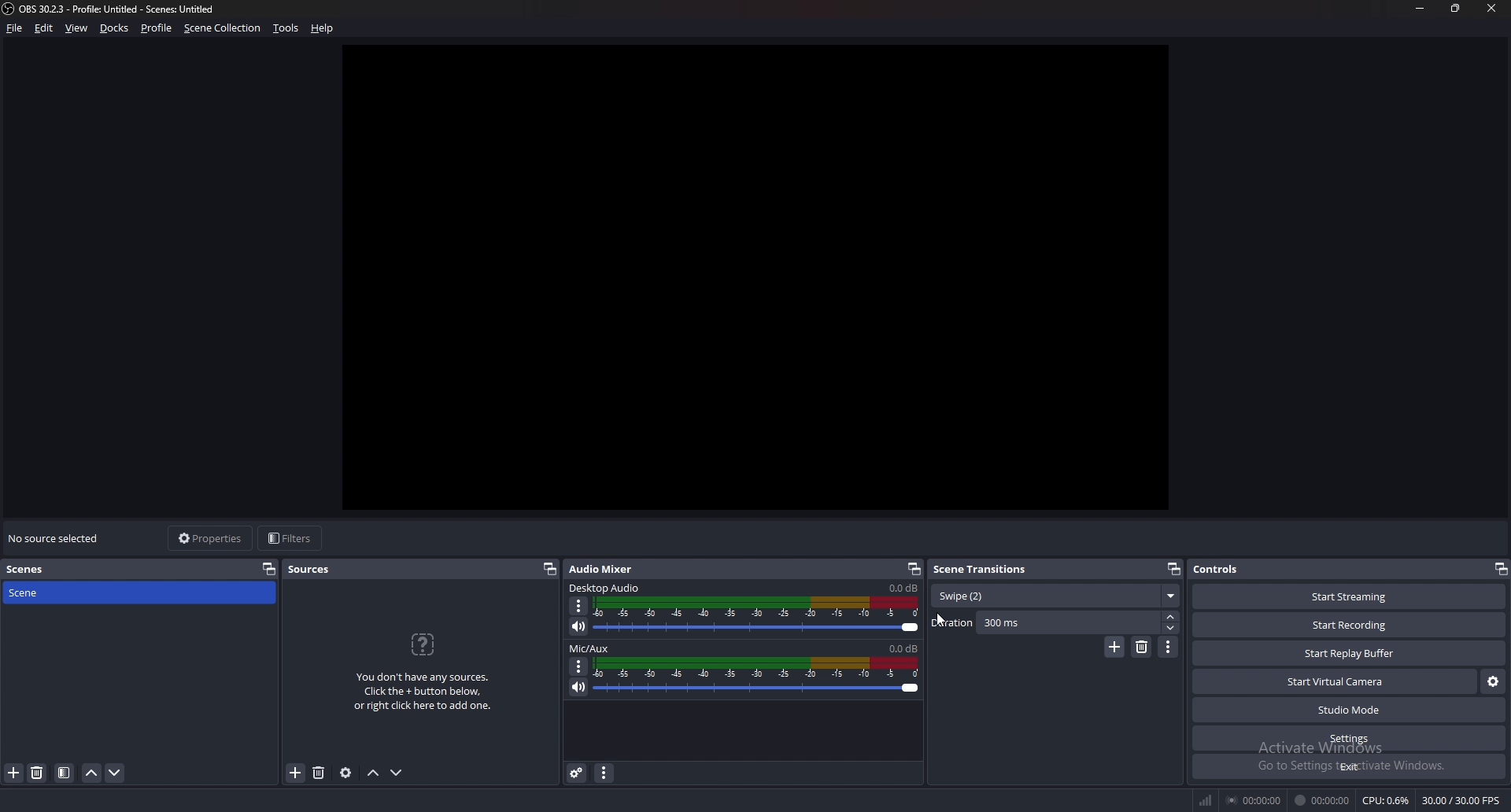  Describe the element at coordinates (115, 773) in the screenshot. I see `move scene down` at that location.